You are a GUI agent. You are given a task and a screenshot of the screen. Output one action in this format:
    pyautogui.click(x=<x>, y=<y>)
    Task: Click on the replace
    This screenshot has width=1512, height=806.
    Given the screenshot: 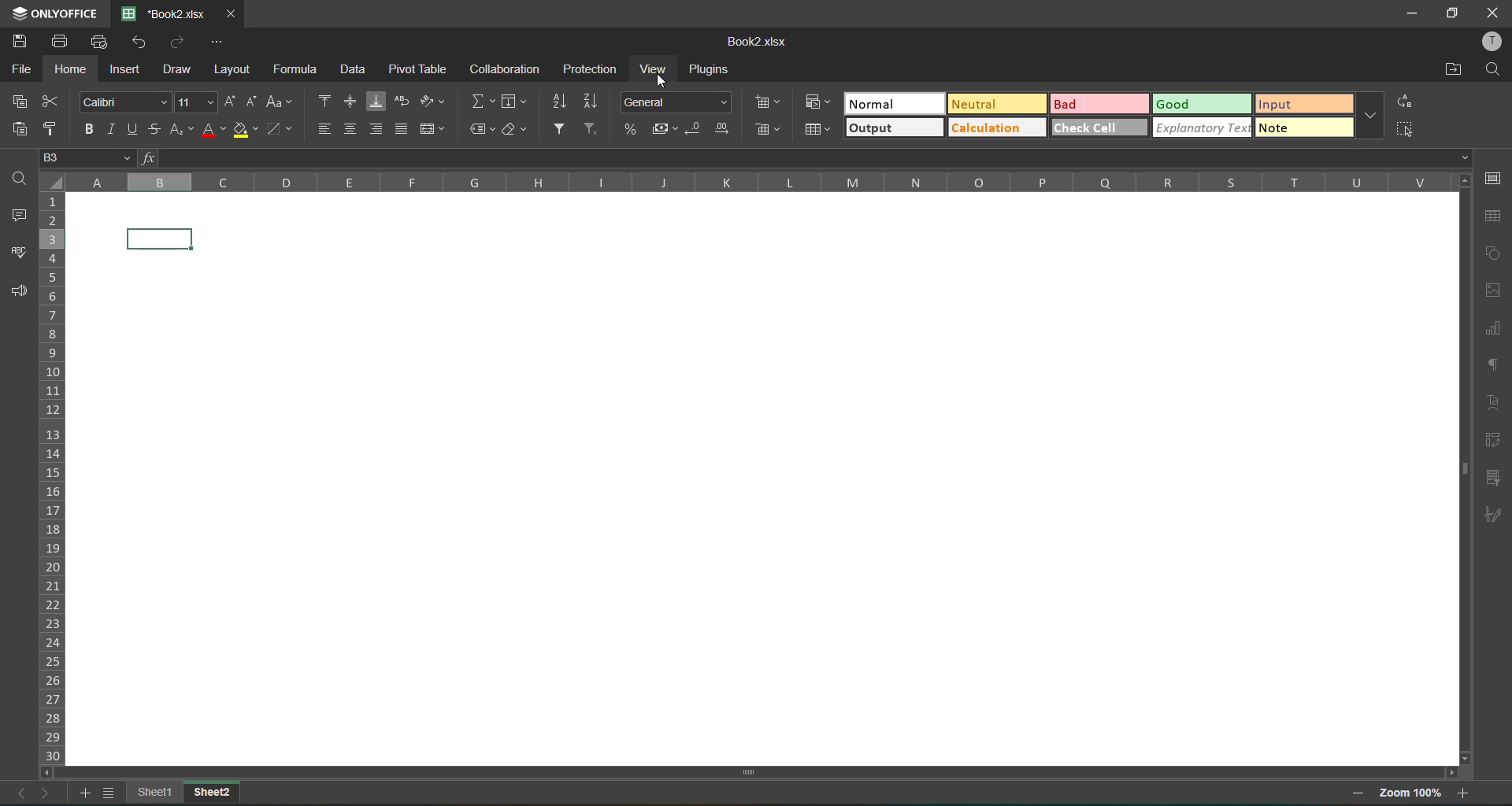 What is the action you would take?
    pyautogui.click(x=1403, y=102)
    